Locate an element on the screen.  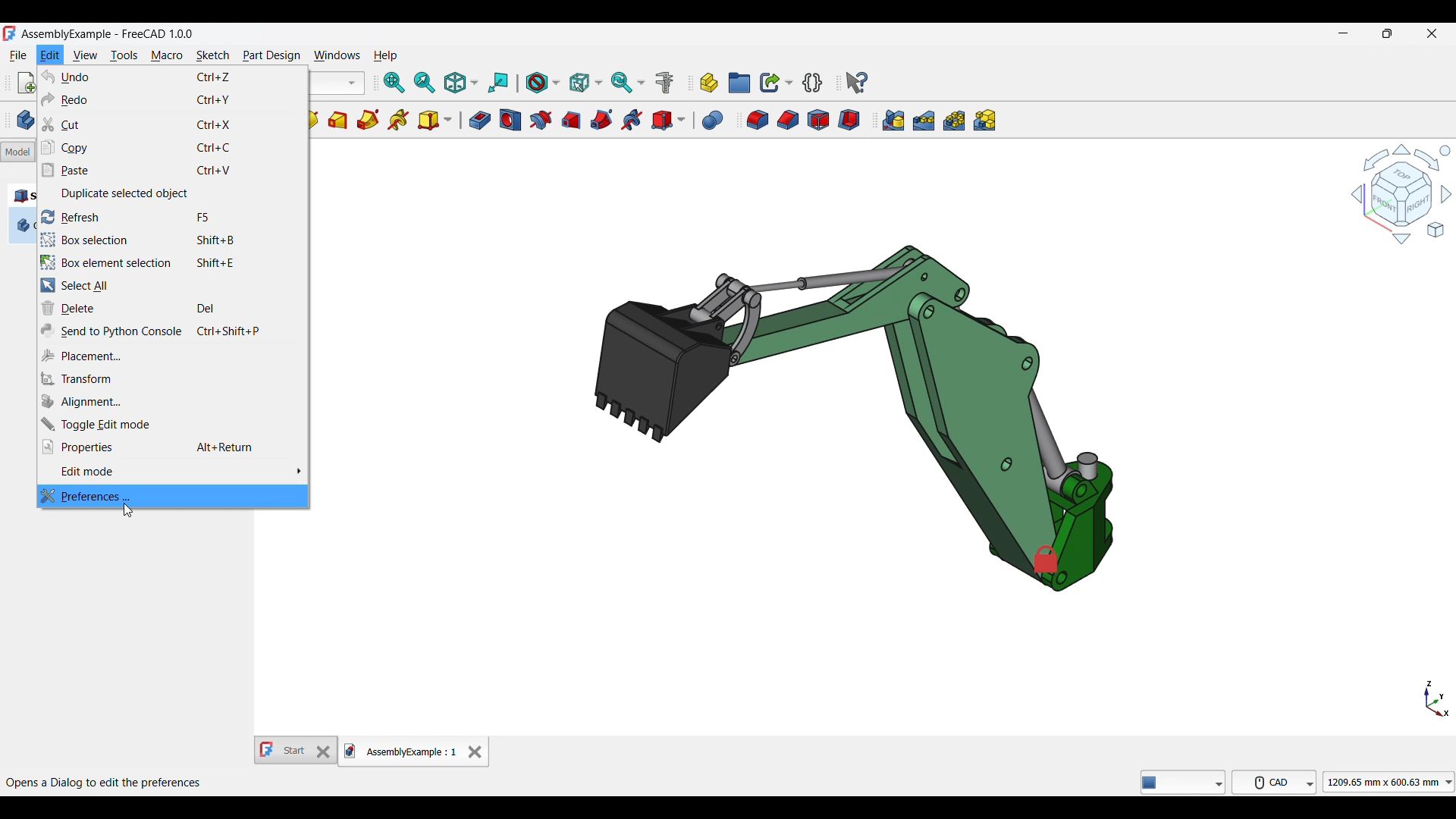
Cut is located at coordinates (174, 124).